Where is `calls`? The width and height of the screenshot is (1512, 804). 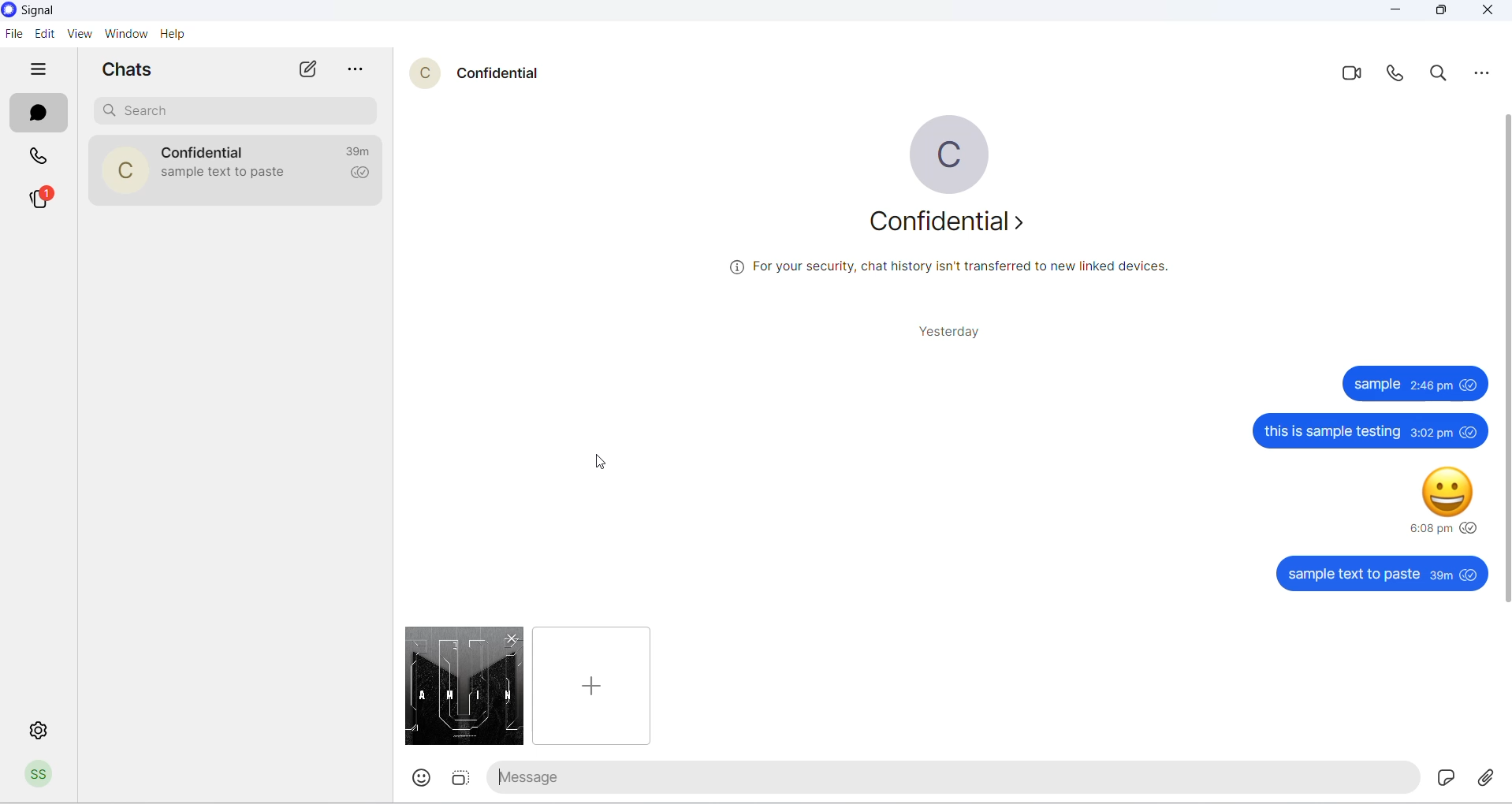
calls is located at coordinates (43, 158).